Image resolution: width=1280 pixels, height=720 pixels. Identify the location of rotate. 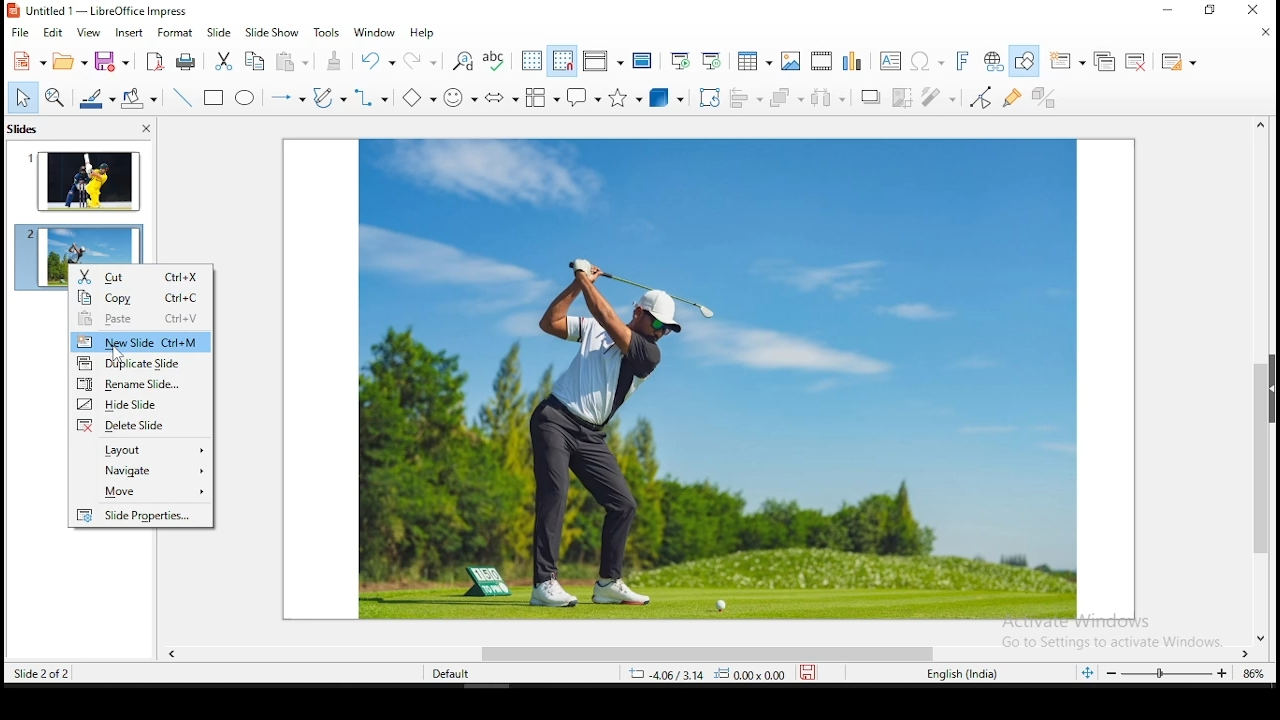
(709, 99).